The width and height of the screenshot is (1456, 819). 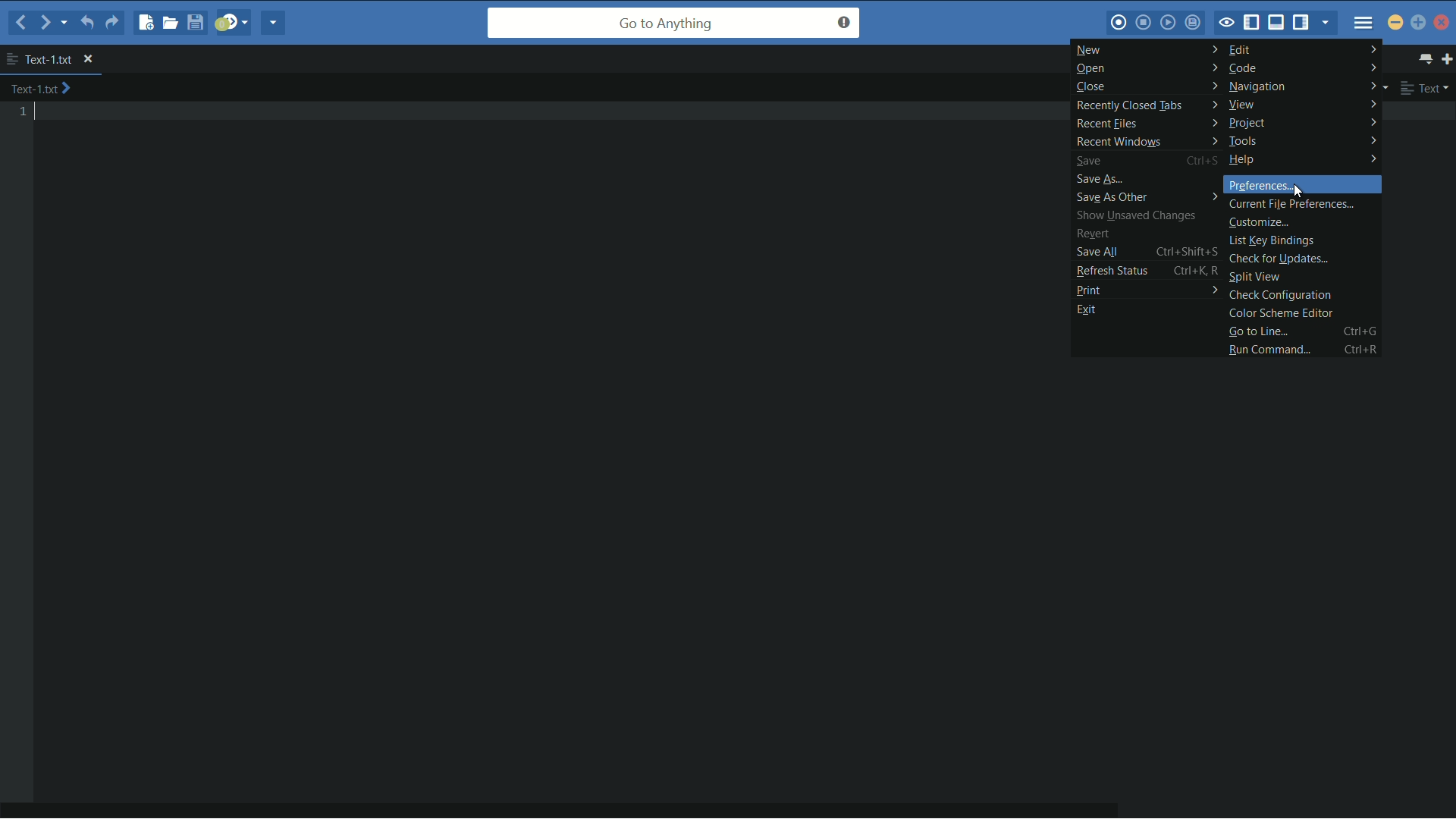 What do you see at coordinates (1202, 161) in the screenshot?
I see `Ctrl+S` at bounding box center [1202, 161].